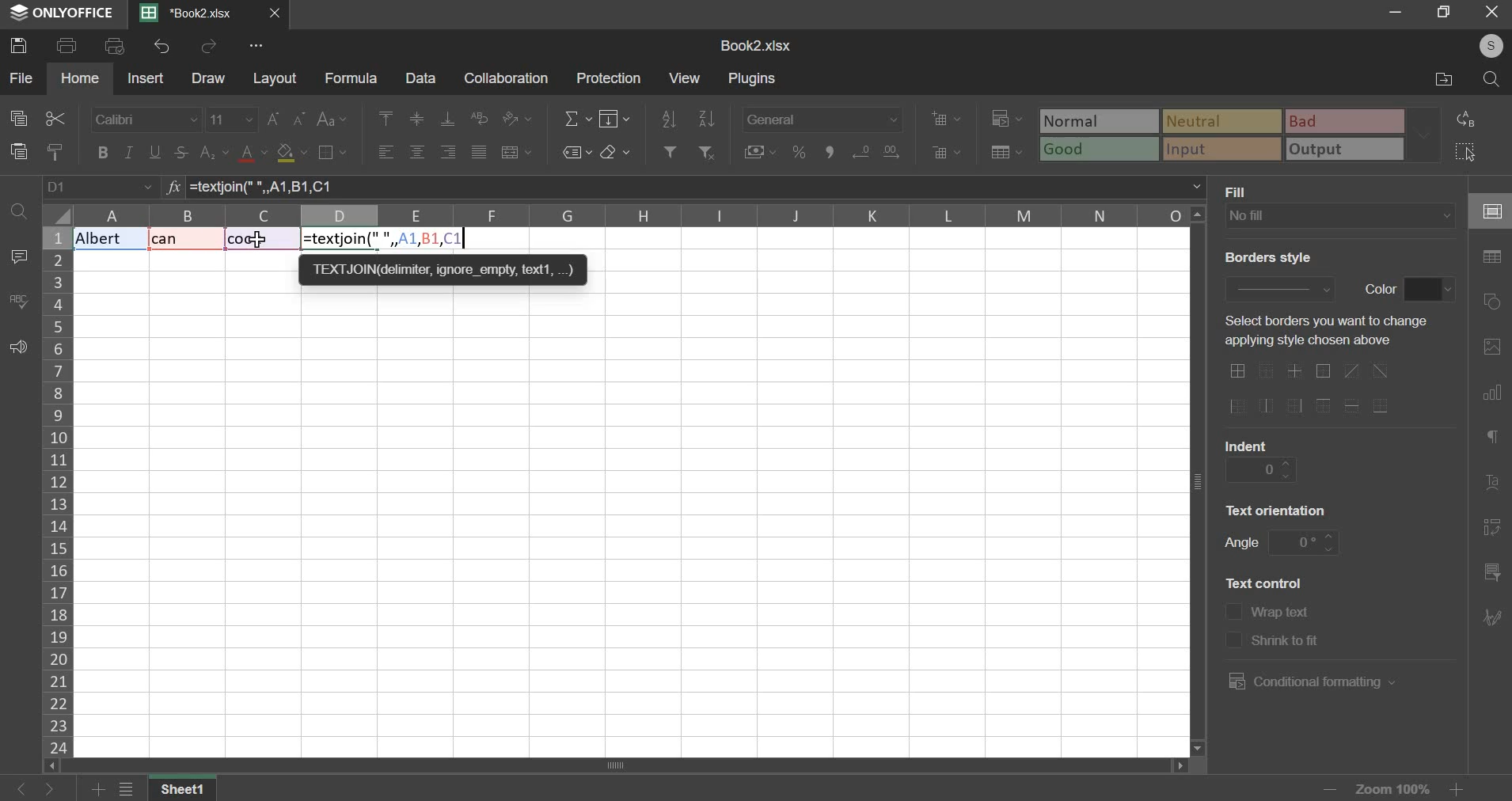 This screenshot has height=801, width=1512. Describe the element at coordinates (21, 77) in the screenshot. I see `file` at that location.